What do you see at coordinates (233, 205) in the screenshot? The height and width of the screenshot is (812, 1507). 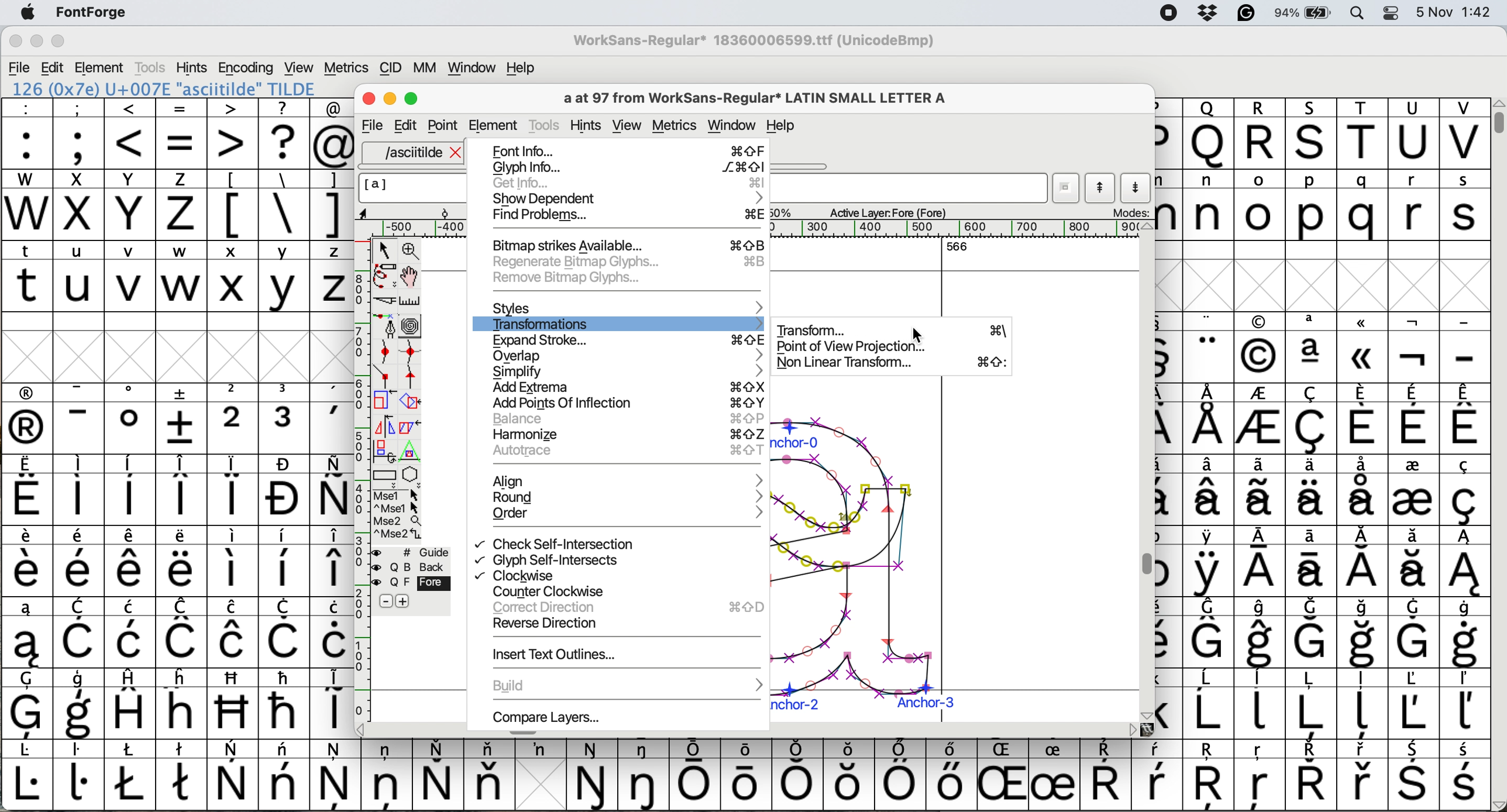 I see `[` at bounding box center [233, 205].